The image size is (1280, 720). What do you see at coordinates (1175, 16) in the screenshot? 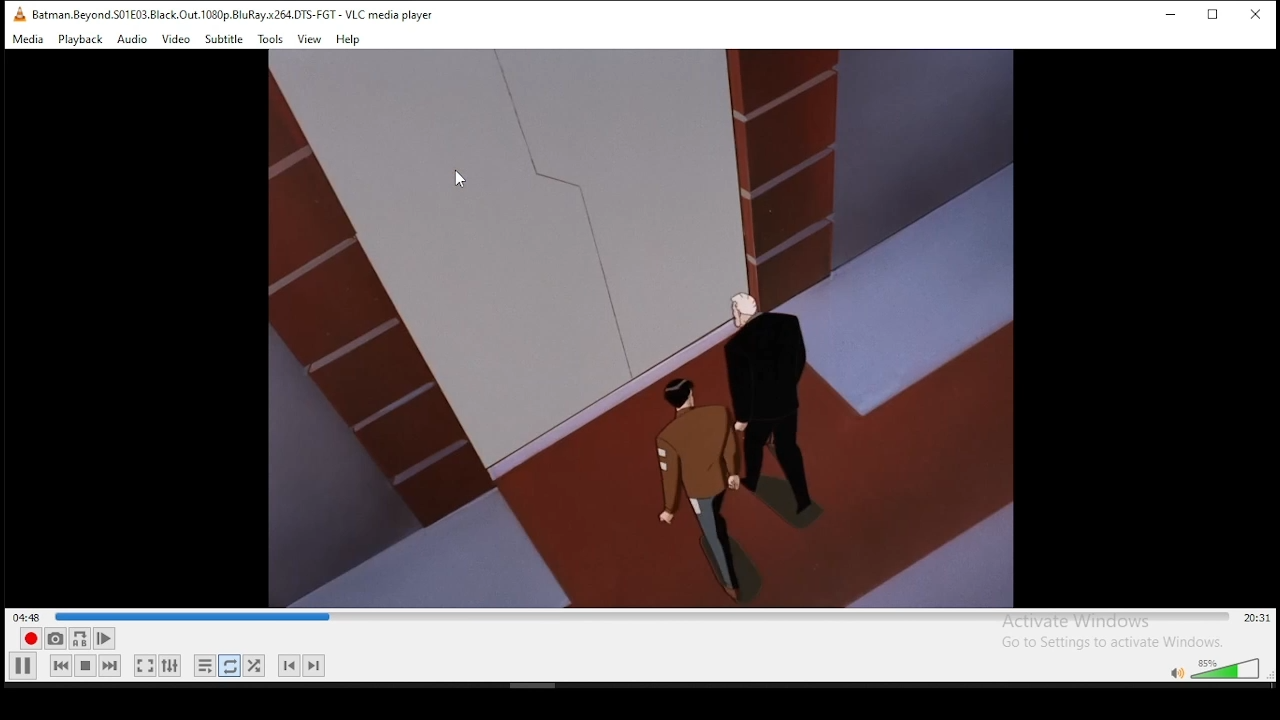
I see `minimize` at bounding box center [1175, 16].